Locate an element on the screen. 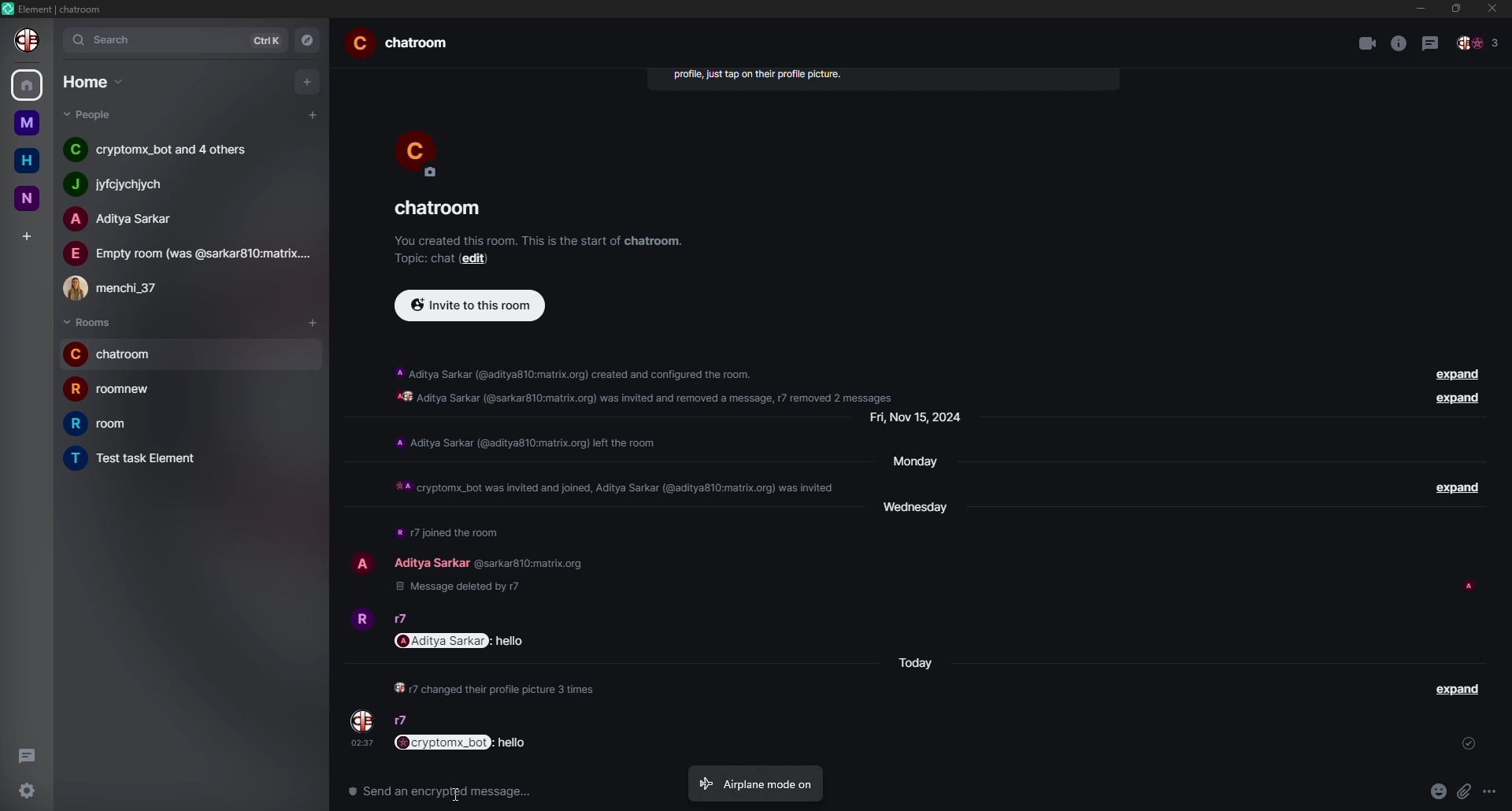 The width and height of the screenshot is (1512, 811). airplane mode on is located at coordinates (754, 783).